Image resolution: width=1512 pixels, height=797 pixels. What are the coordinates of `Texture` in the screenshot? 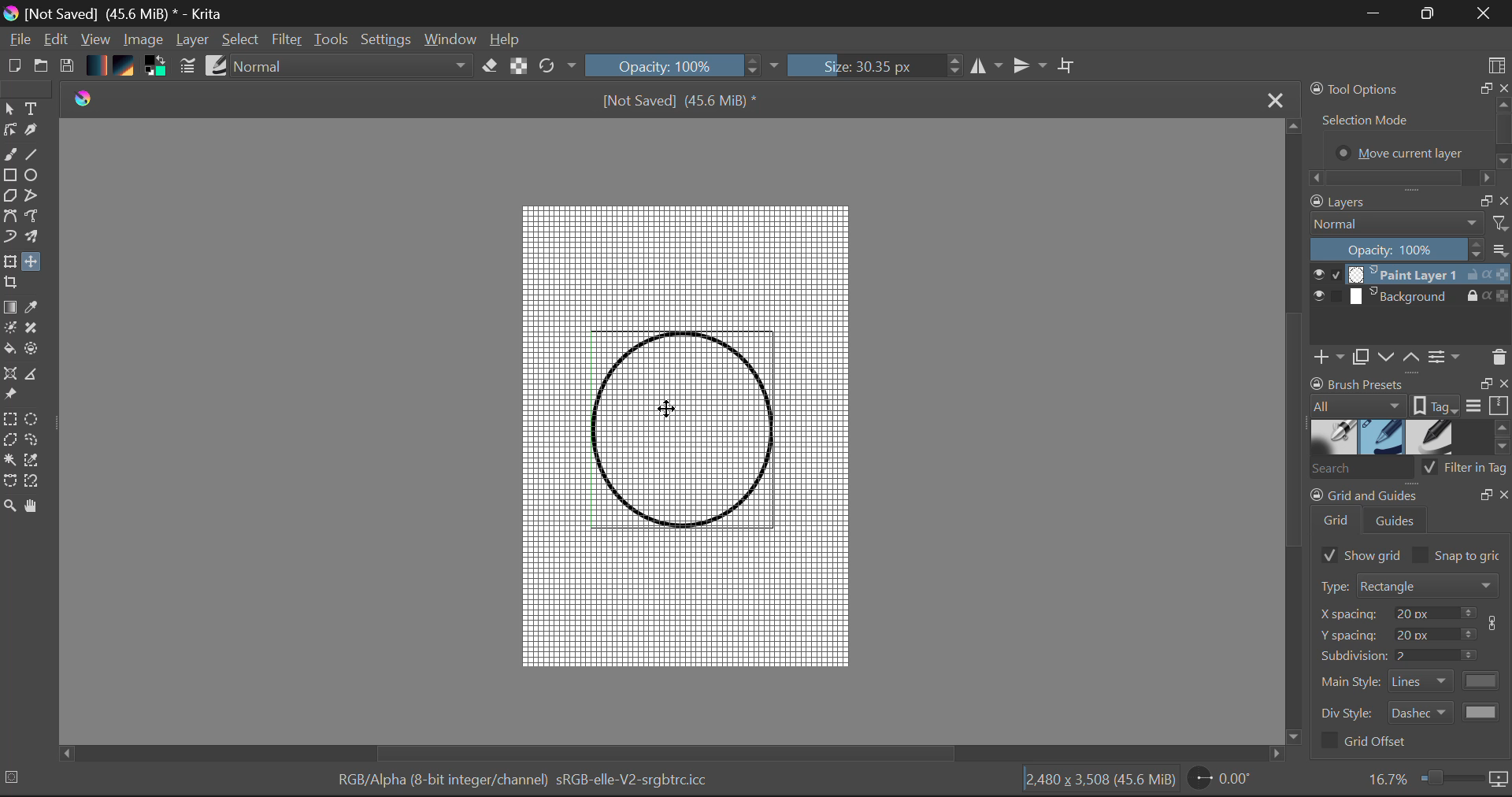 It's located at (128, 68).